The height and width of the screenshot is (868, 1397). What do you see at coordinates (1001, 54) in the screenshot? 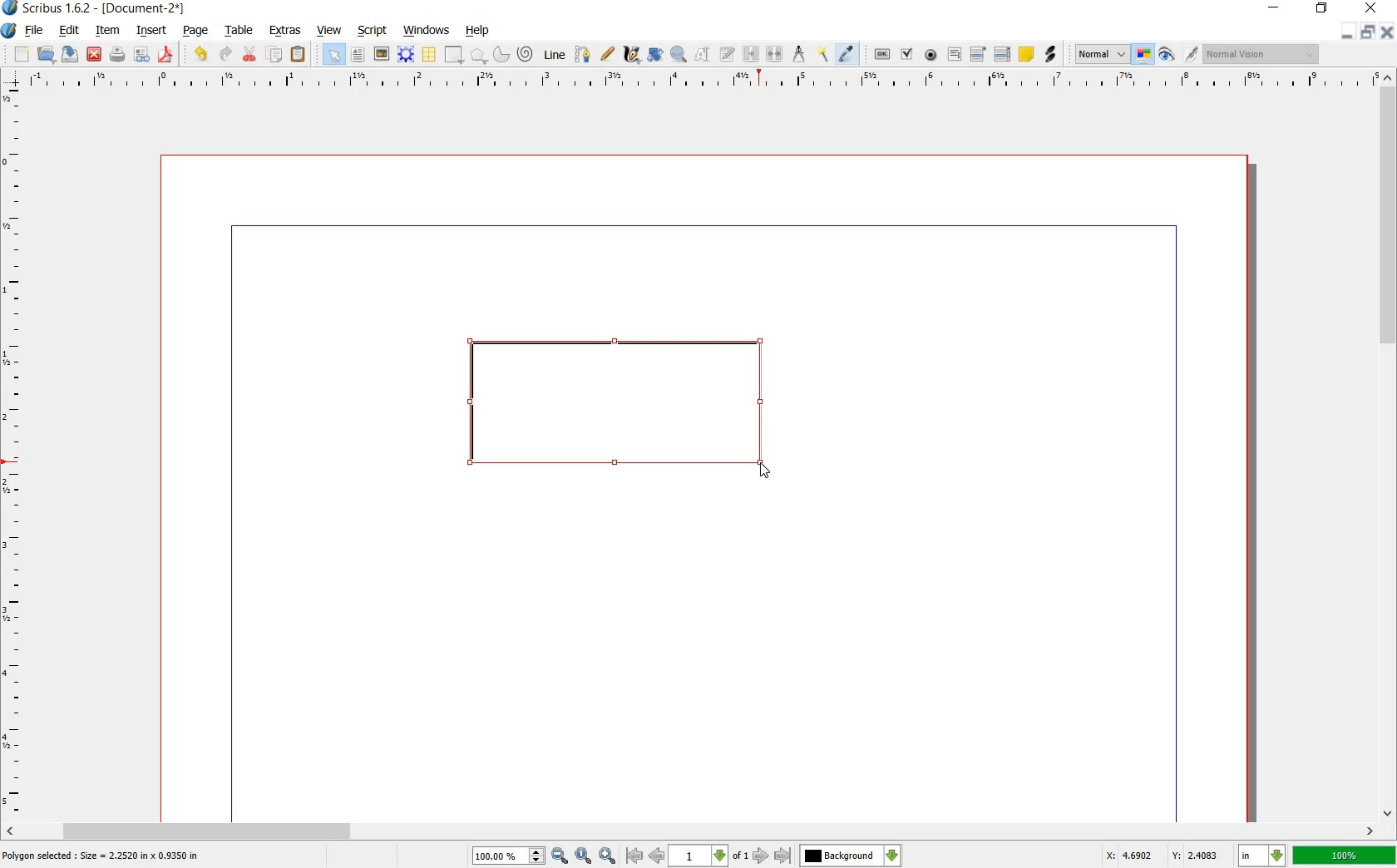
I see `PDF LIST BOX` at bounding box center [1001, 54].